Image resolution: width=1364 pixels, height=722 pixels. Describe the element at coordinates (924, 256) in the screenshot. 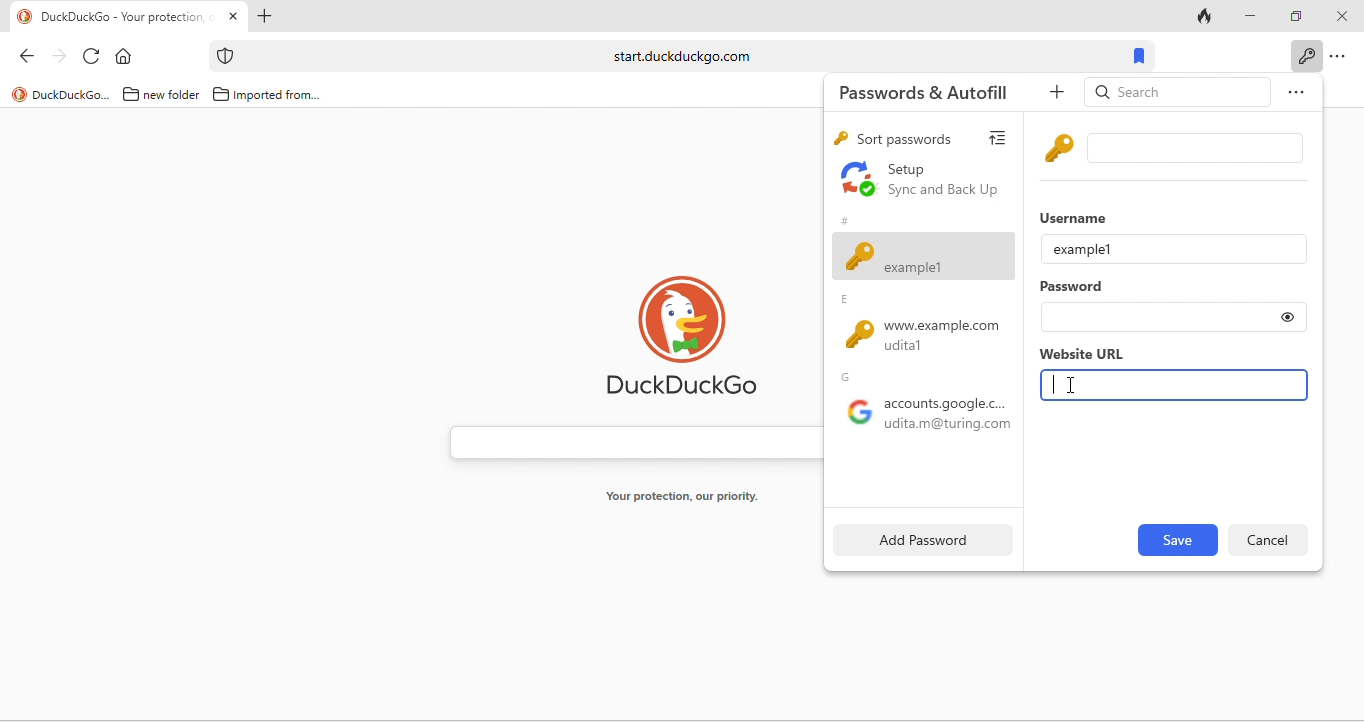

I see `adding new field of password of the name example 1` at that location.